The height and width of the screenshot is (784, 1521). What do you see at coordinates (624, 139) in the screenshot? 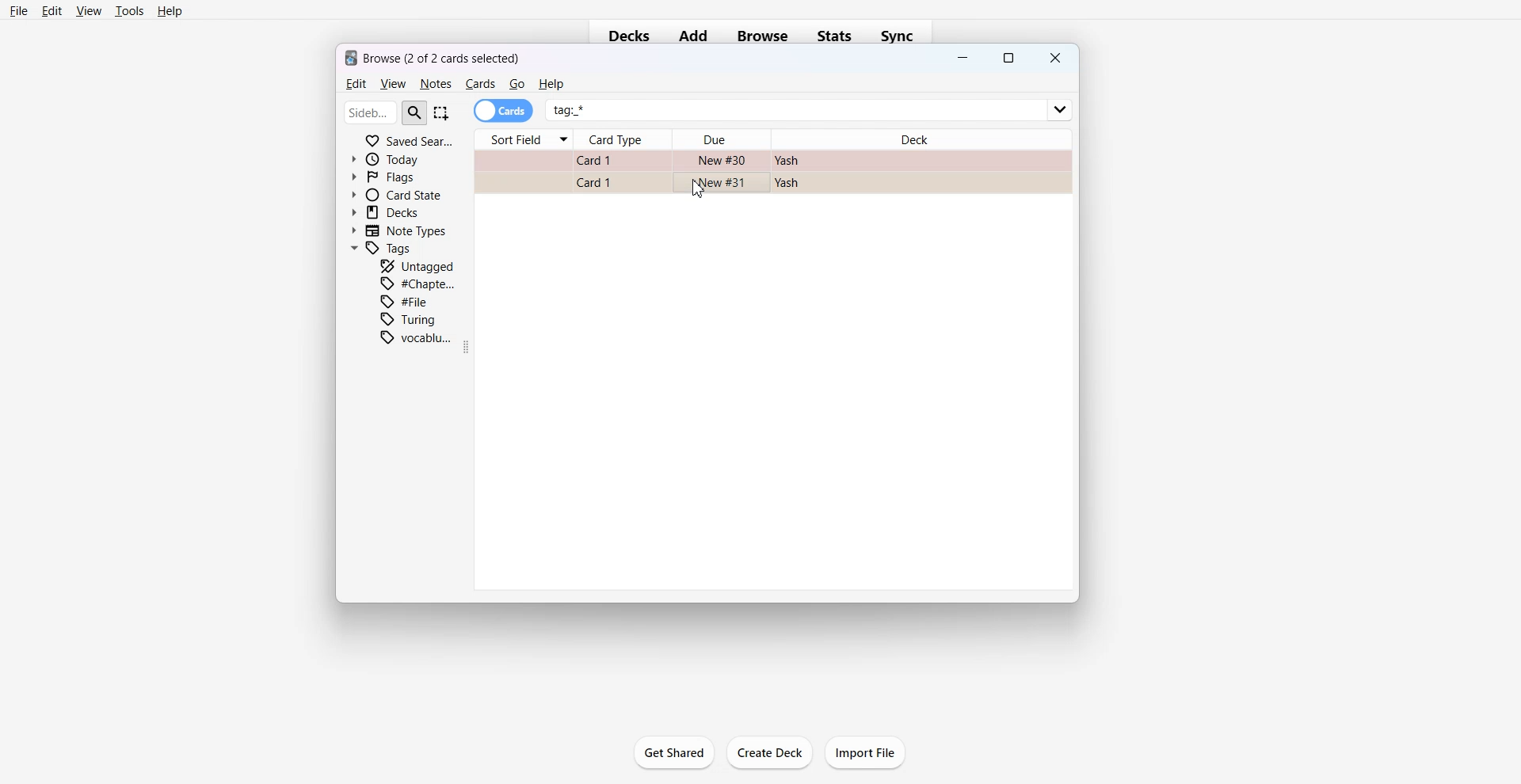
I see `Card Type` at bounding box center [624, 139].